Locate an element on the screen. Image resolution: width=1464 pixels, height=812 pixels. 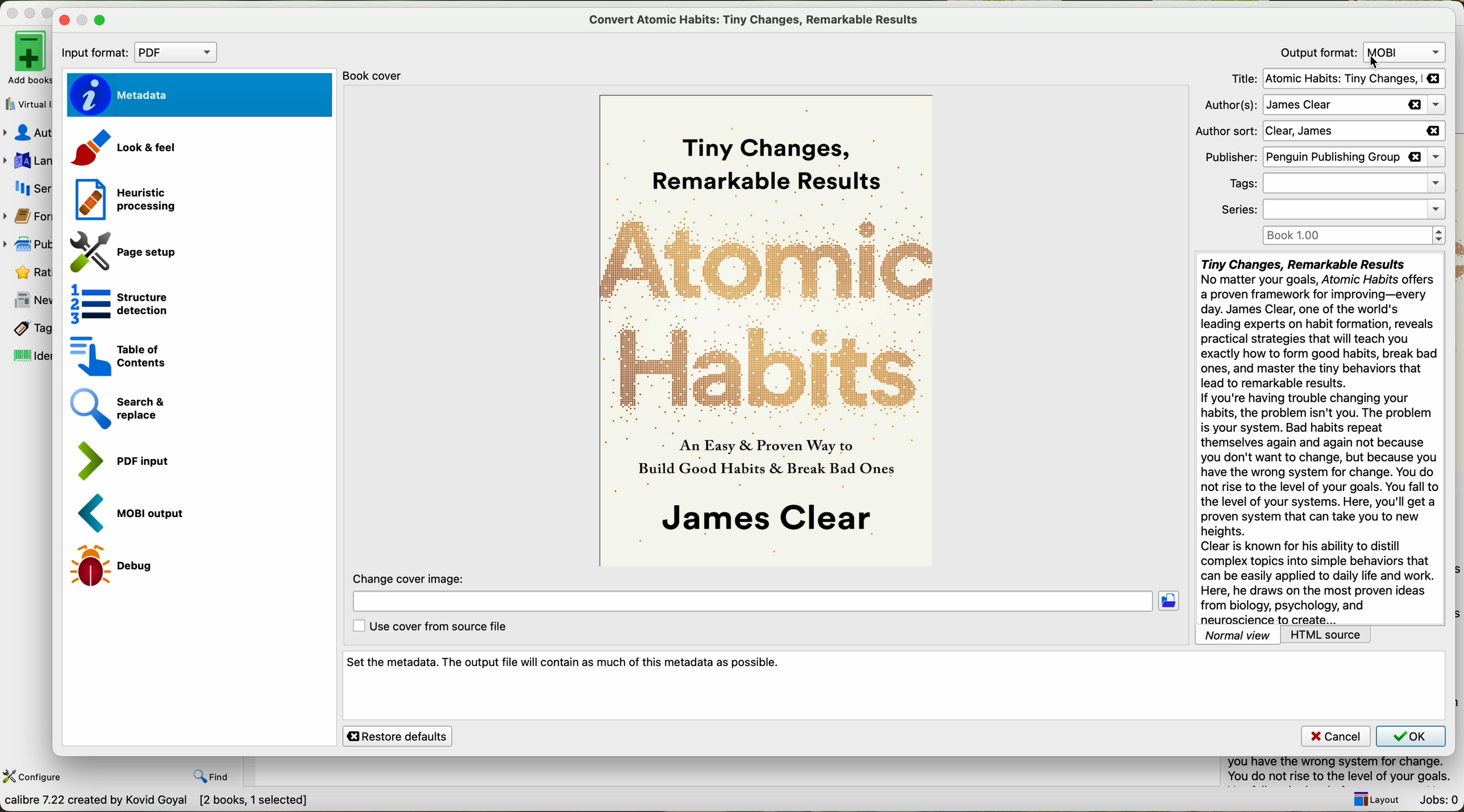
calibre 7.22 is located at coordinates (159, 802).